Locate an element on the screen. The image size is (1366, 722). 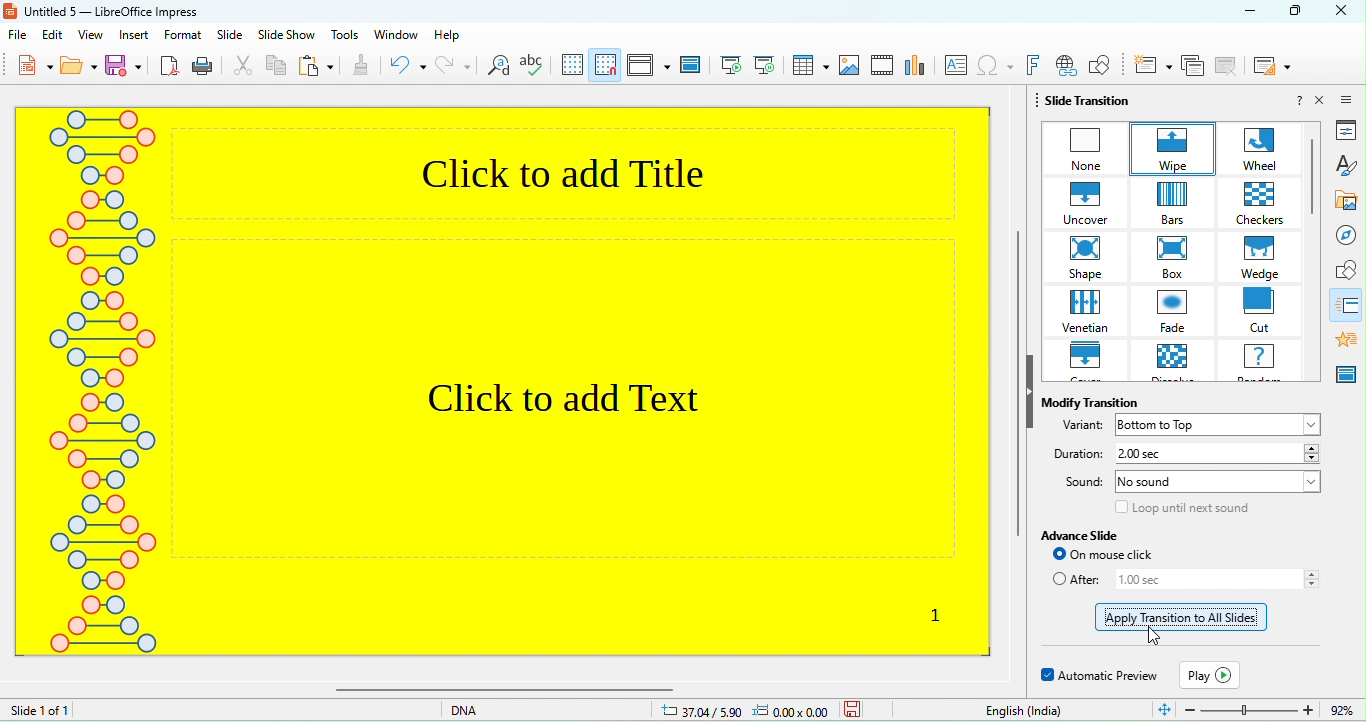
snap to grid is located at coordinates (602, 67).